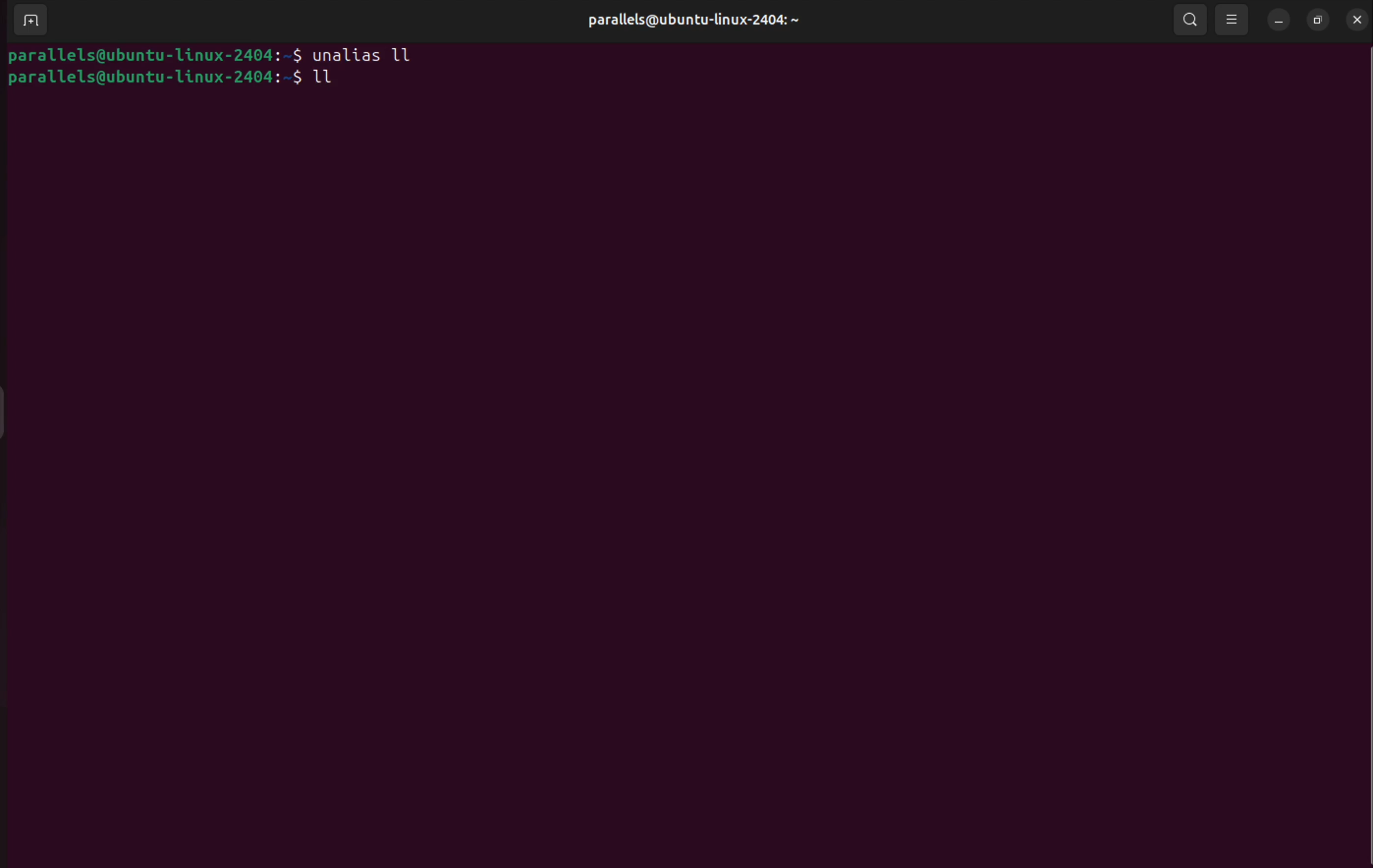 This screenshot has height=868, width=1373. Describe the element at coordinates (27, 22) in the screenshot. I see `add terminal` at that location.